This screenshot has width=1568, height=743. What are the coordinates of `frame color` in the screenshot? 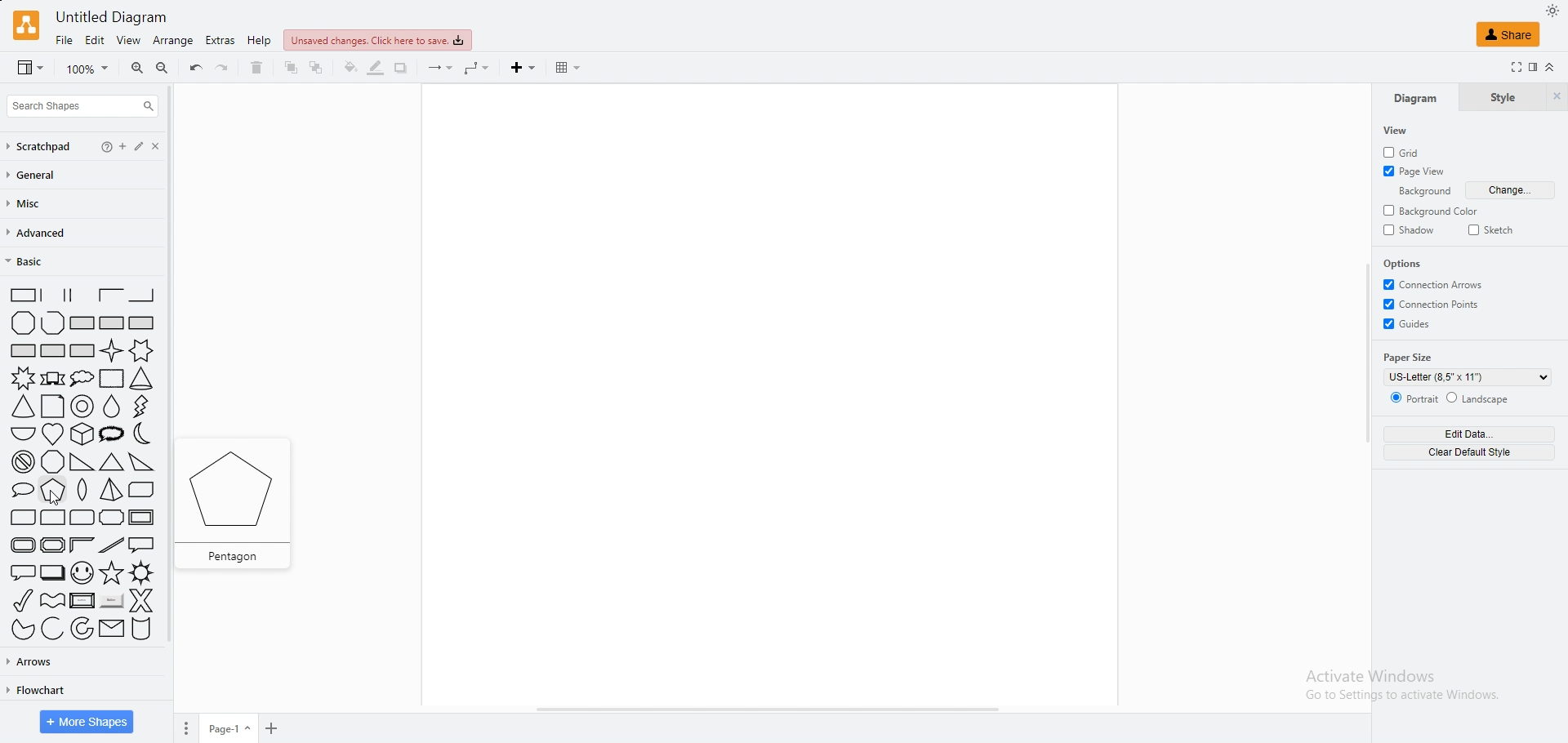 It's located at (82, 544).